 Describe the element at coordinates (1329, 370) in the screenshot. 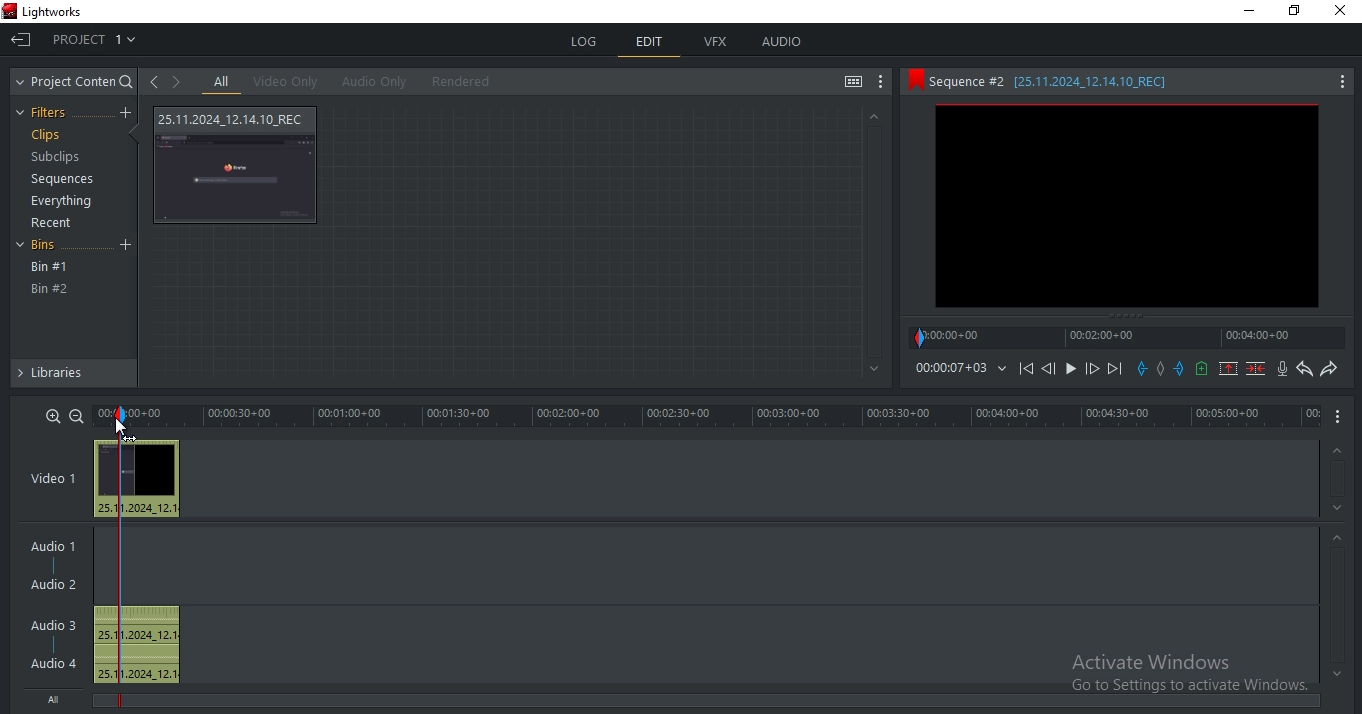

I see `redo` at that location.